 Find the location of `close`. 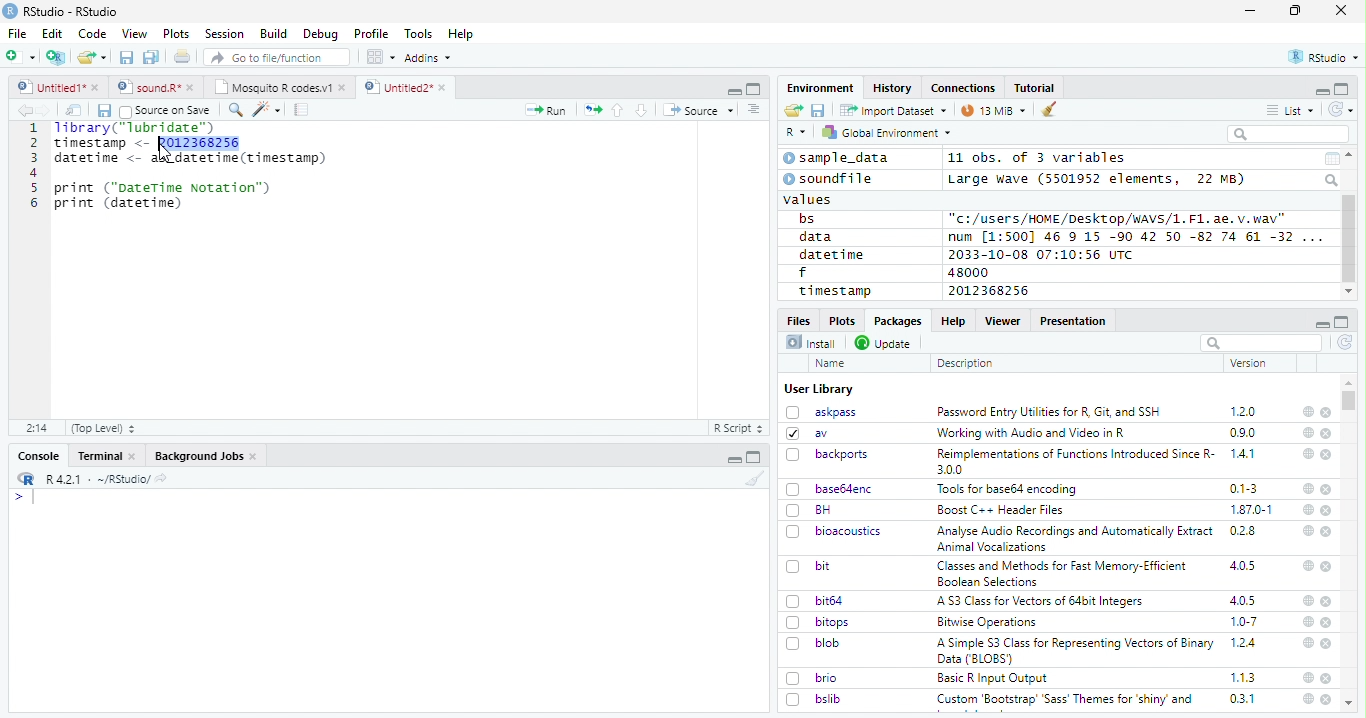

close is located at coordinates (1326, 413).